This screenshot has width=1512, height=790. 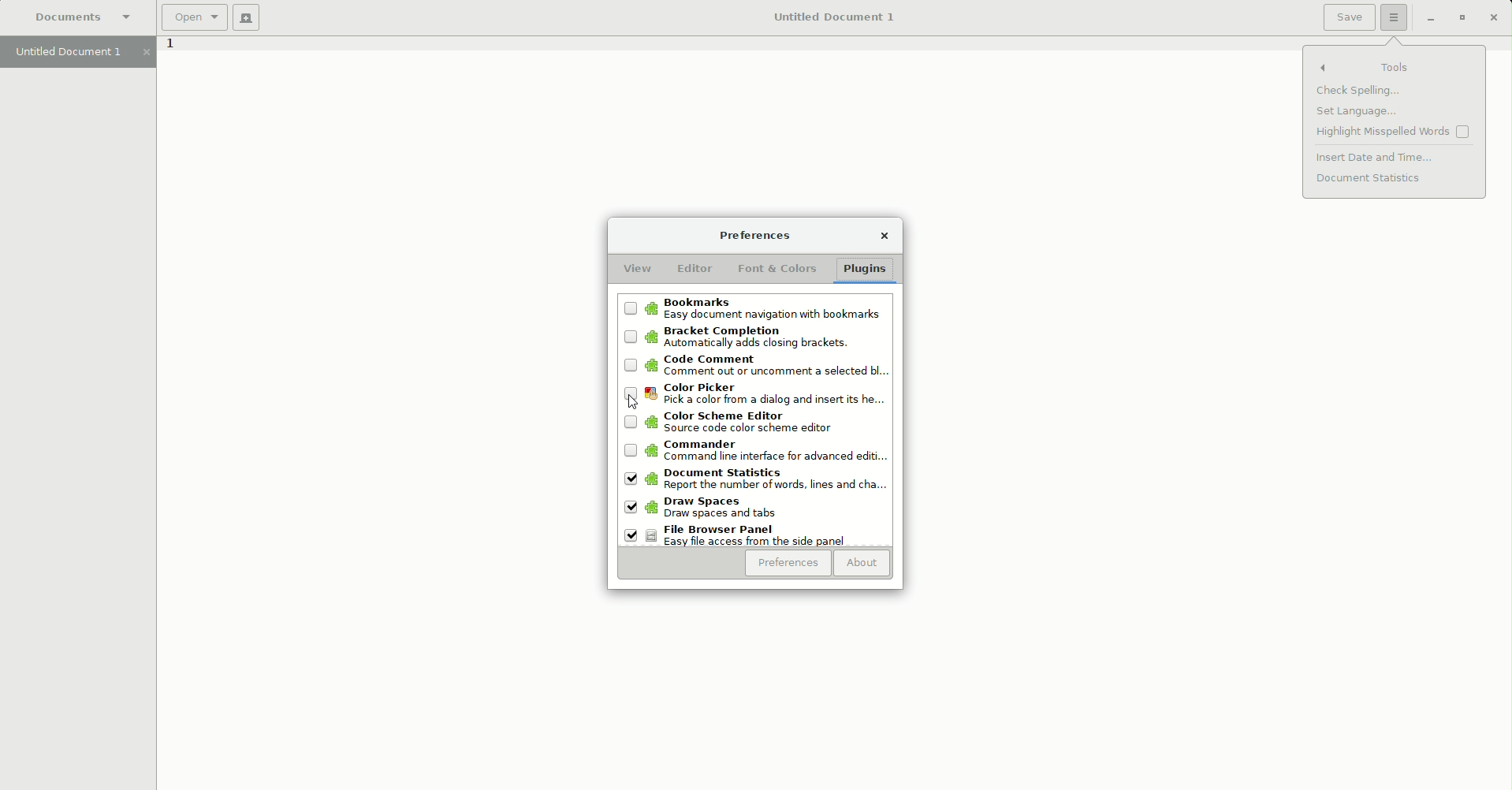 I want to click on Bookmarks: Easy document navigation with bookmarks, so click(x=754, y=308).